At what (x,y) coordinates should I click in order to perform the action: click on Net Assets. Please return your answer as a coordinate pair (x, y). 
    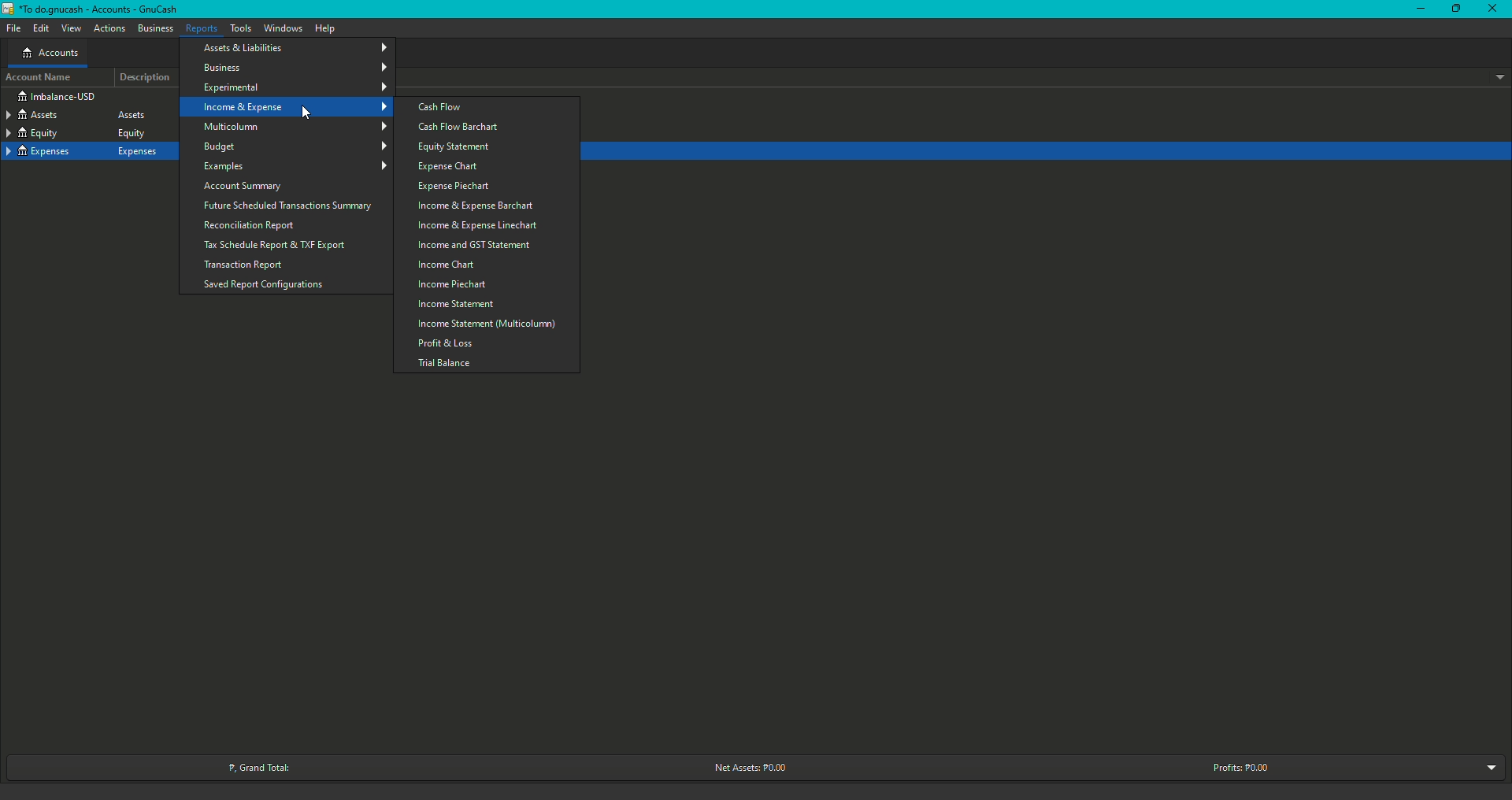
    Looking at the image, I should click on (758, 766).